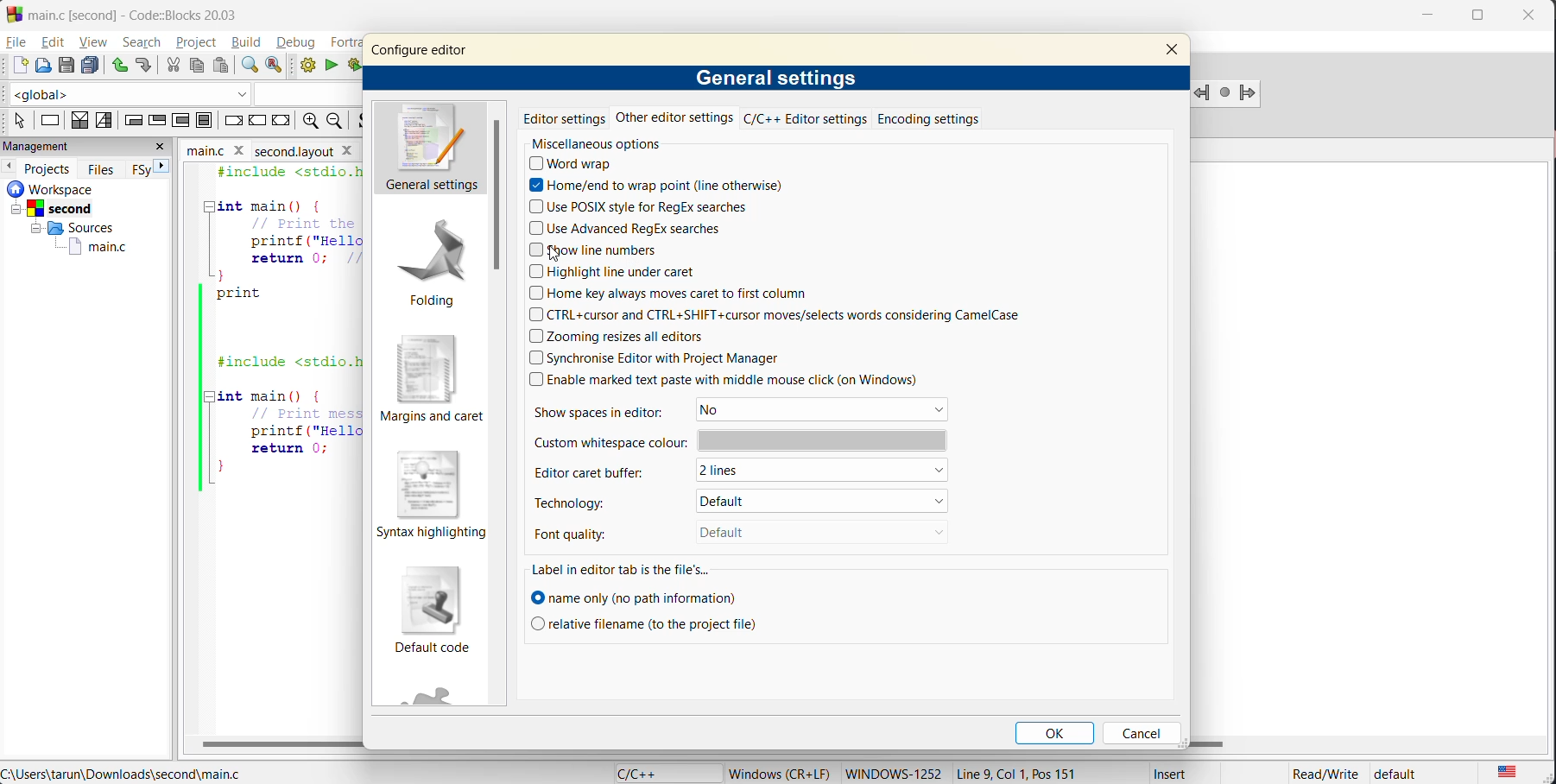 The height and width of the screenshot is (784, 1556). Describe the element at coordinates (1483, 18) in the screenshot. I see `maximize` at that location.